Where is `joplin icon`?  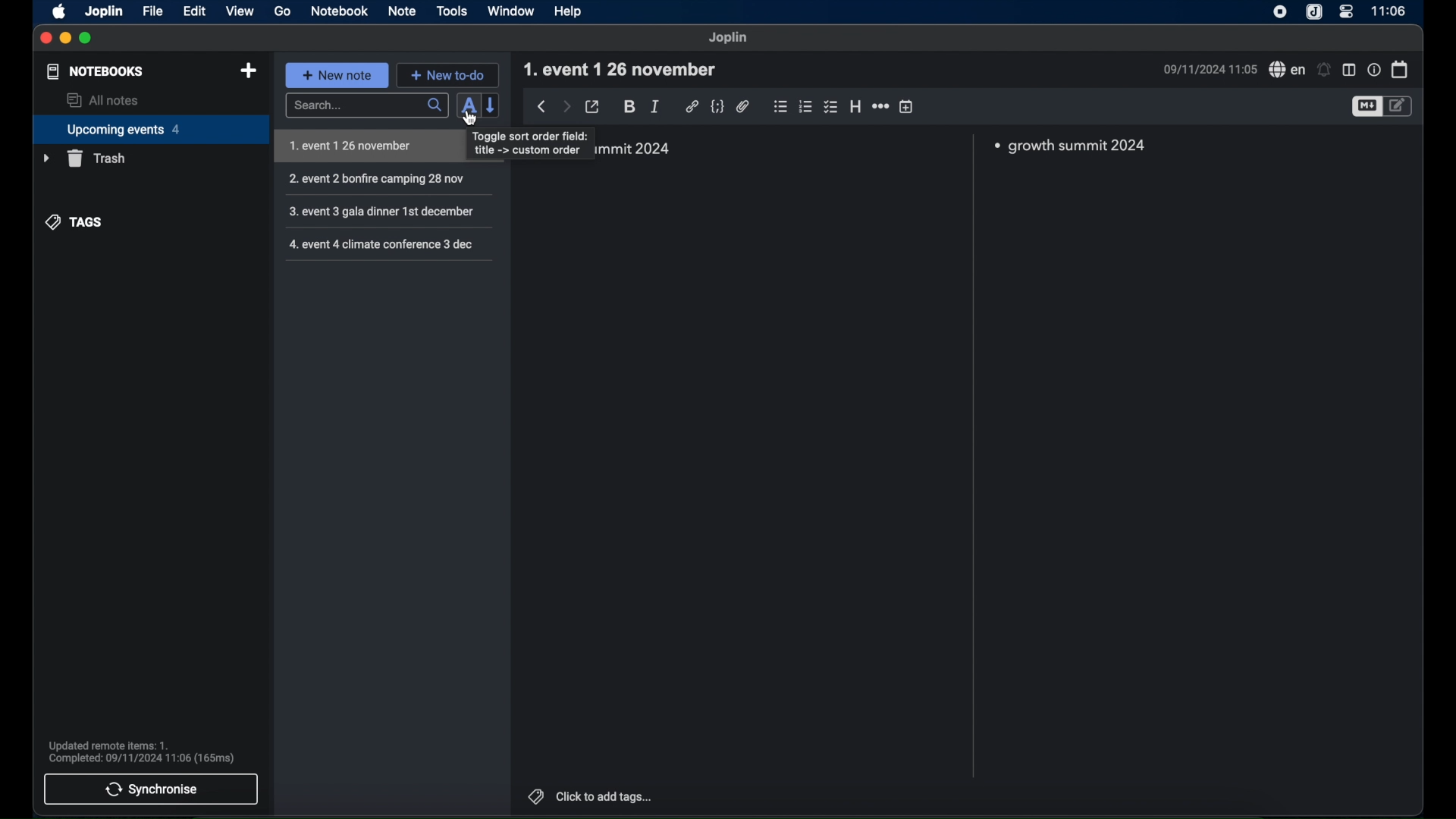
joplin icon is located at coordinates (1316, 13).